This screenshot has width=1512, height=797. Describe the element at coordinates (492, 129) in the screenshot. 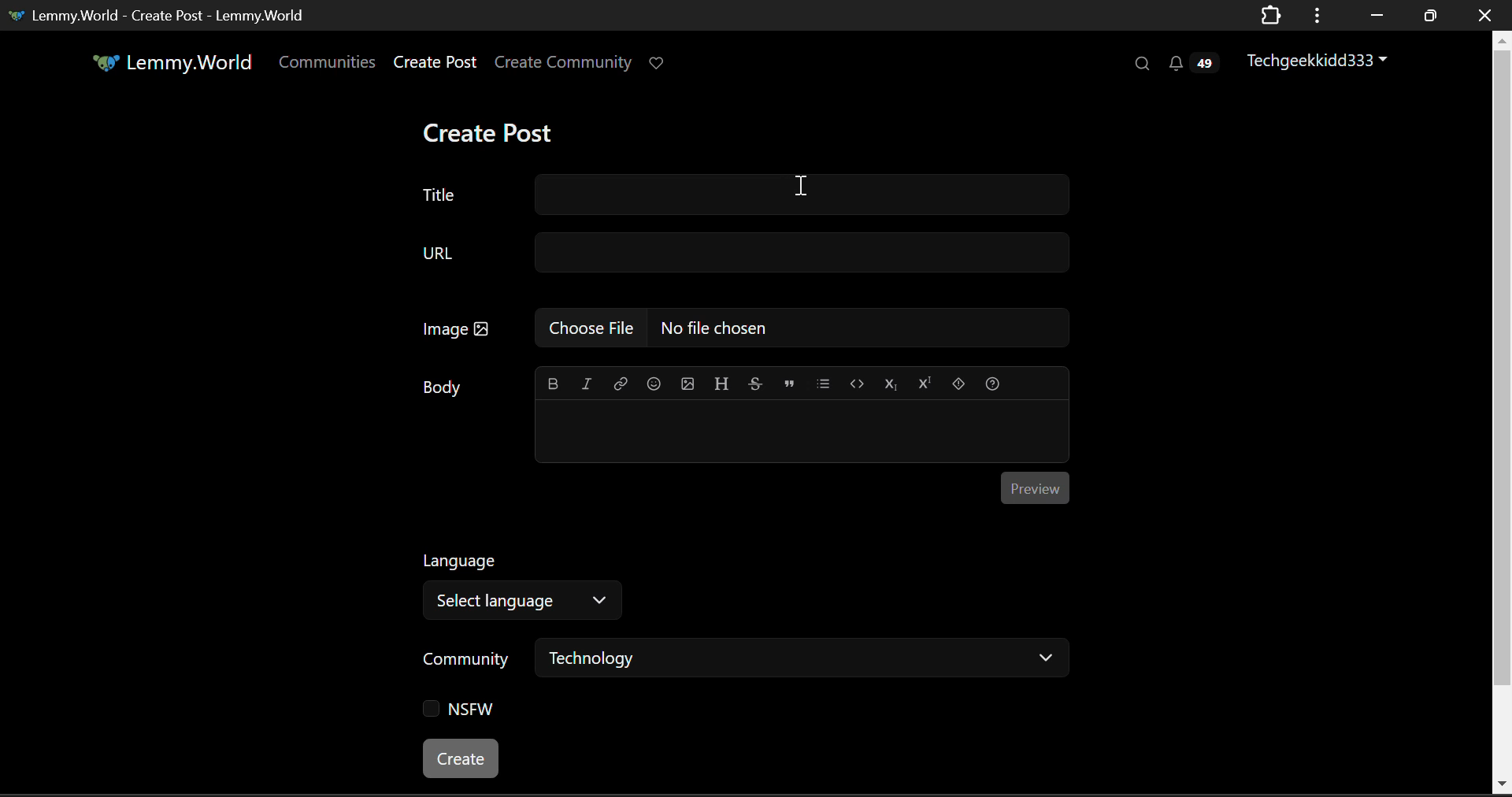

I see `Create Post` at that location.